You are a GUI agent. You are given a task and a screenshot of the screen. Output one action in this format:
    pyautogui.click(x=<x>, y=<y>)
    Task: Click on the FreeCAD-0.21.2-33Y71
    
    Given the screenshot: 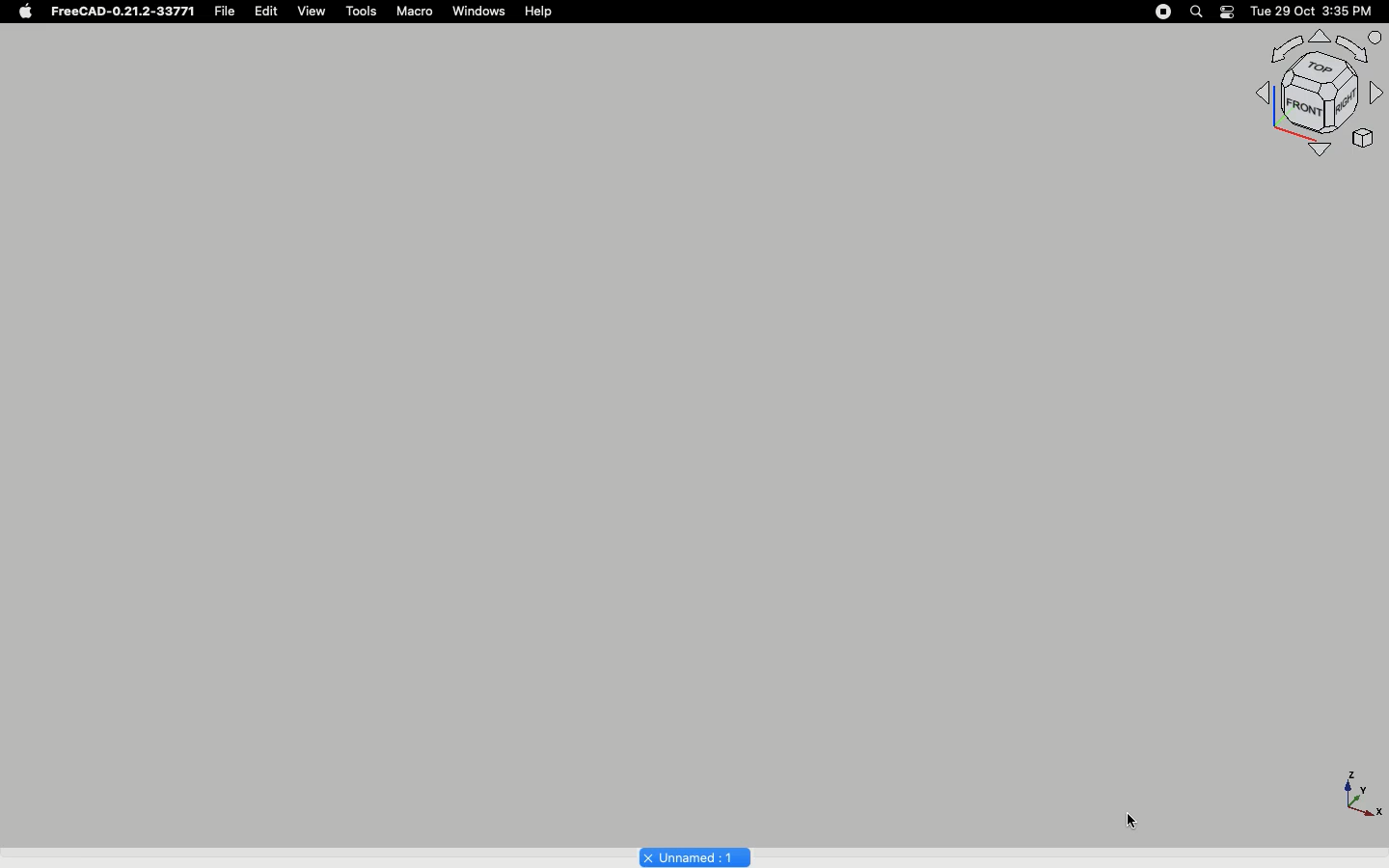 What is the action you would take?
    pyautogui.click(x=126, y=14)
    